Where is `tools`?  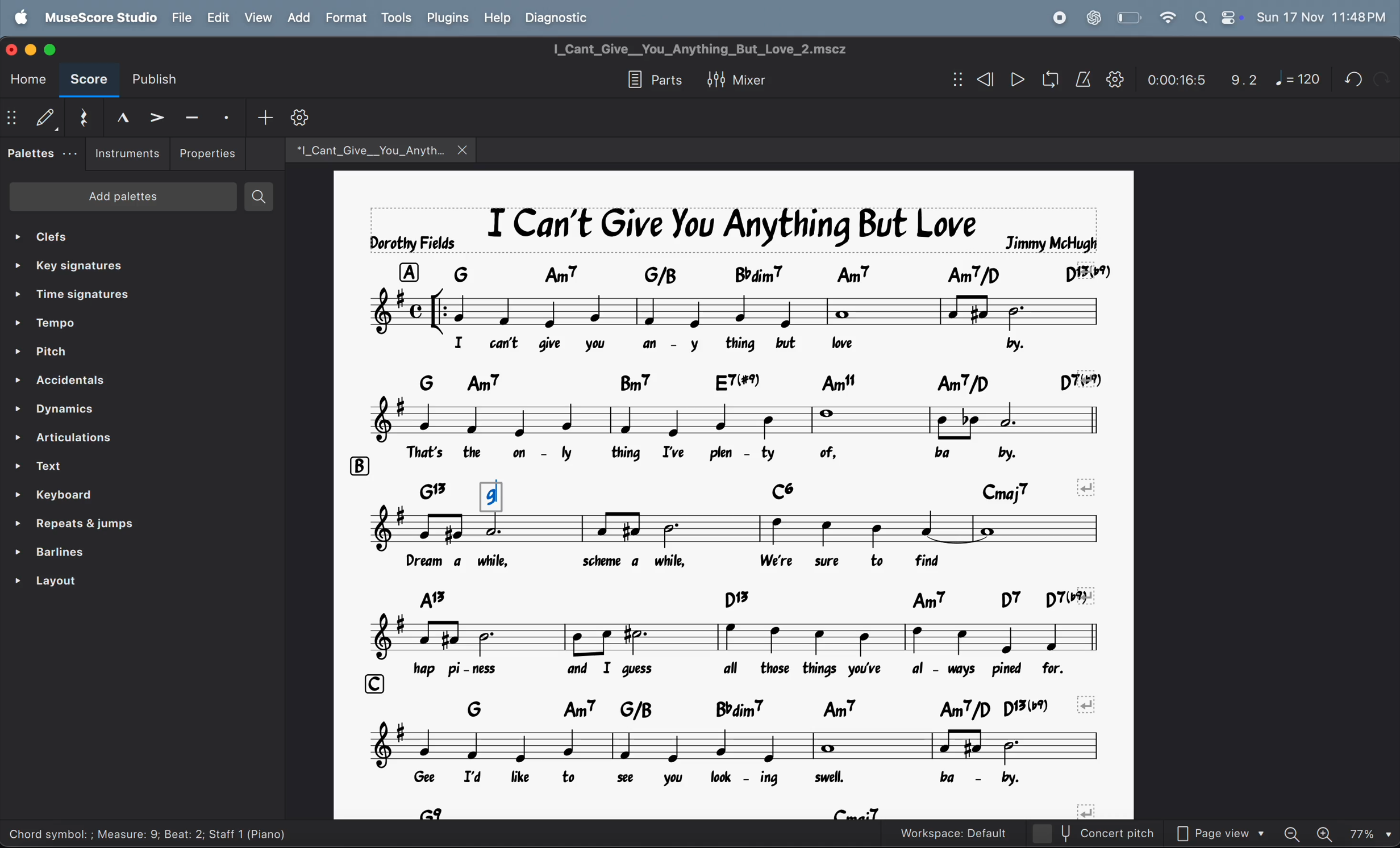 tools is located at coordinates (396, 18).